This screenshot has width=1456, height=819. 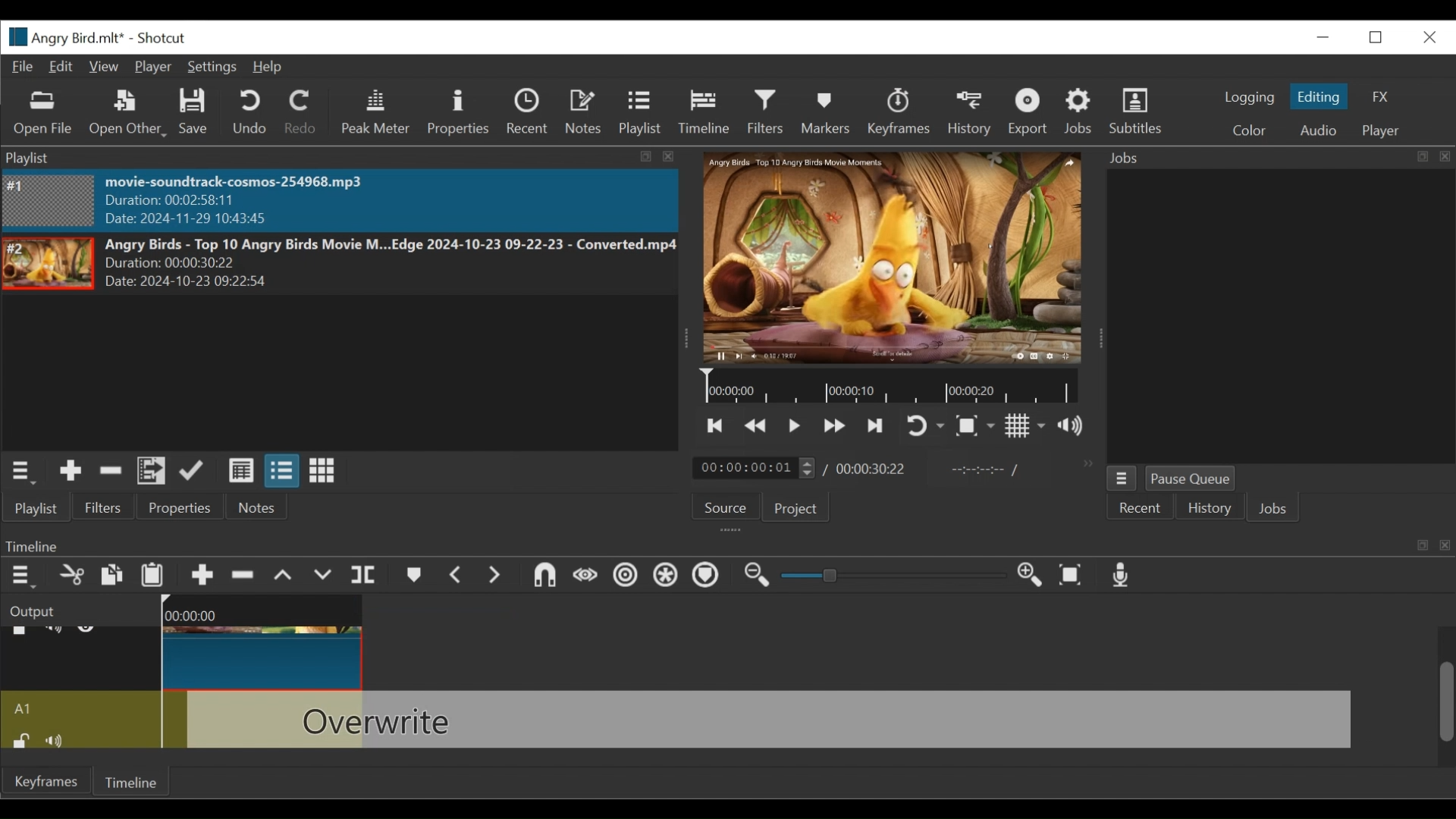 What do you see at coordinates (135, 781) in the screenshot?
I see `Timeline` at bounding box center [135, 781].